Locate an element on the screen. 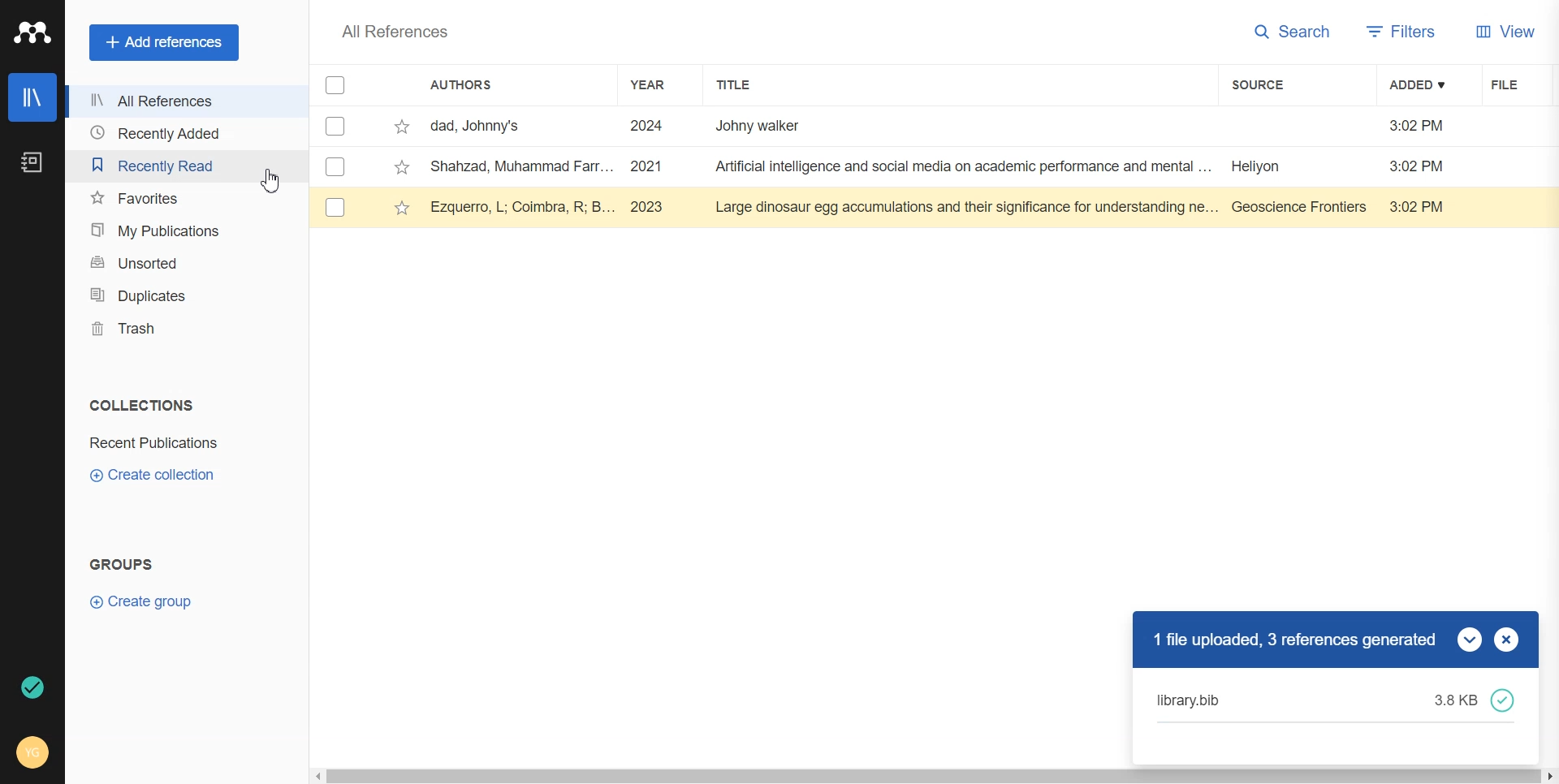  All References is located at coordinates (399, 31).